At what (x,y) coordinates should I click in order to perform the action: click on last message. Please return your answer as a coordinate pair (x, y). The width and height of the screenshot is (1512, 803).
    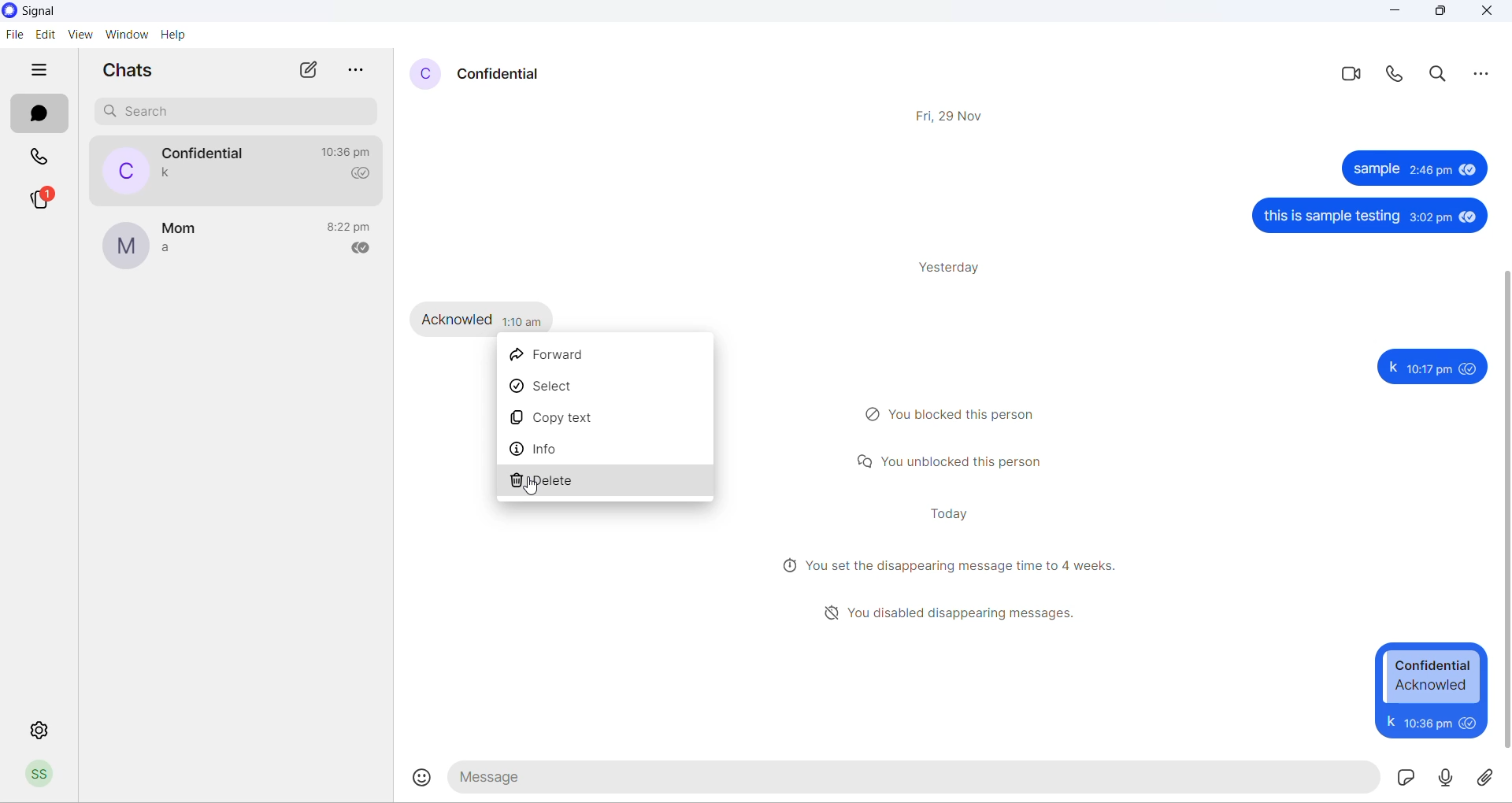
    Looking at the image, I should click on (171, 174).